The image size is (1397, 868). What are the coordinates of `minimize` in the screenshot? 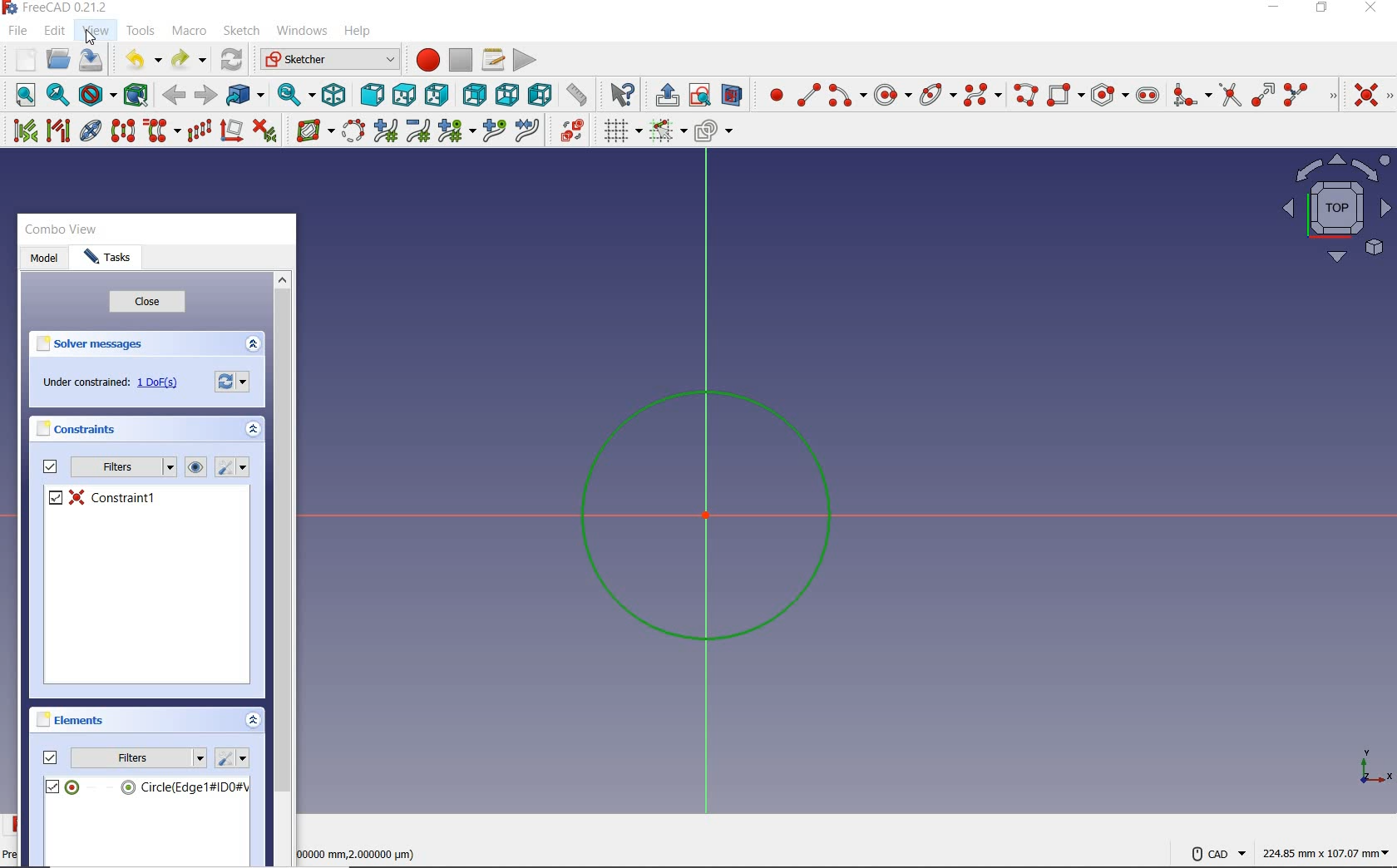 It's located at (1275, 9).